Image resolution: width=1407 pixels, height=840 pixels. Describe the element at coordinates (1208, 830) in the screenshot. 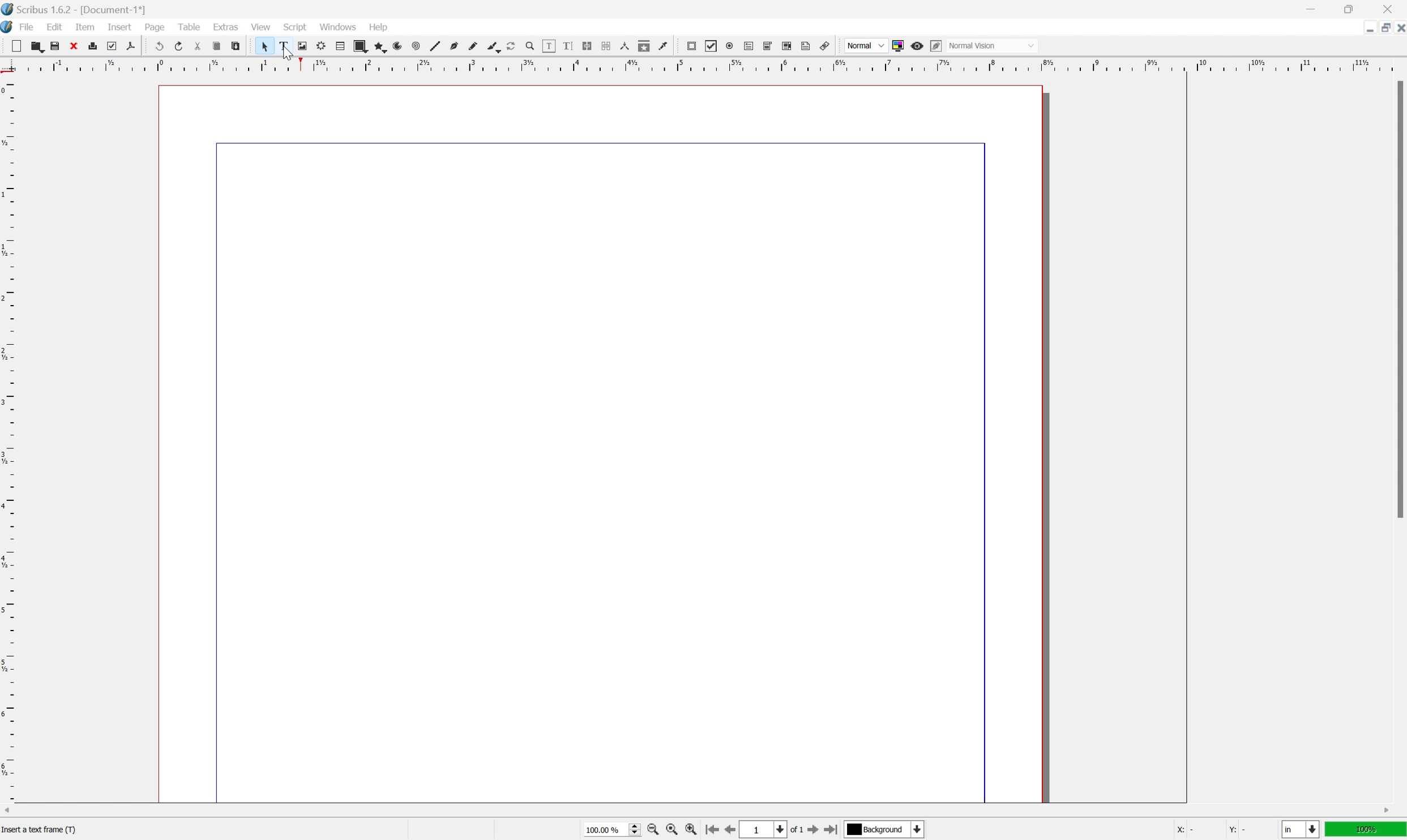

I see `coordinates` at that location.